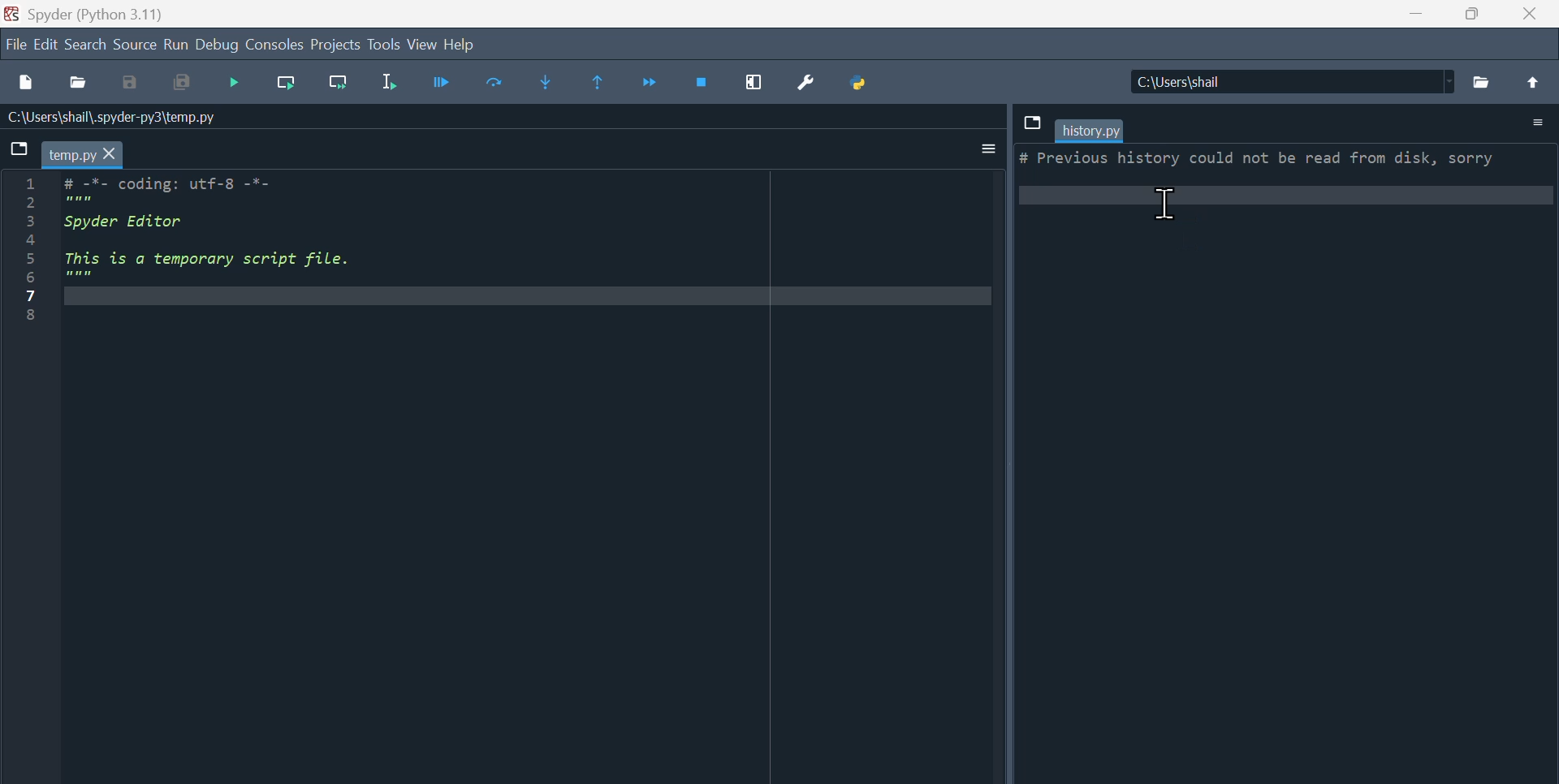 This screenshot has width=1559, height=784. I want to click on Spyder (Python 3.11), so click(99, 14).